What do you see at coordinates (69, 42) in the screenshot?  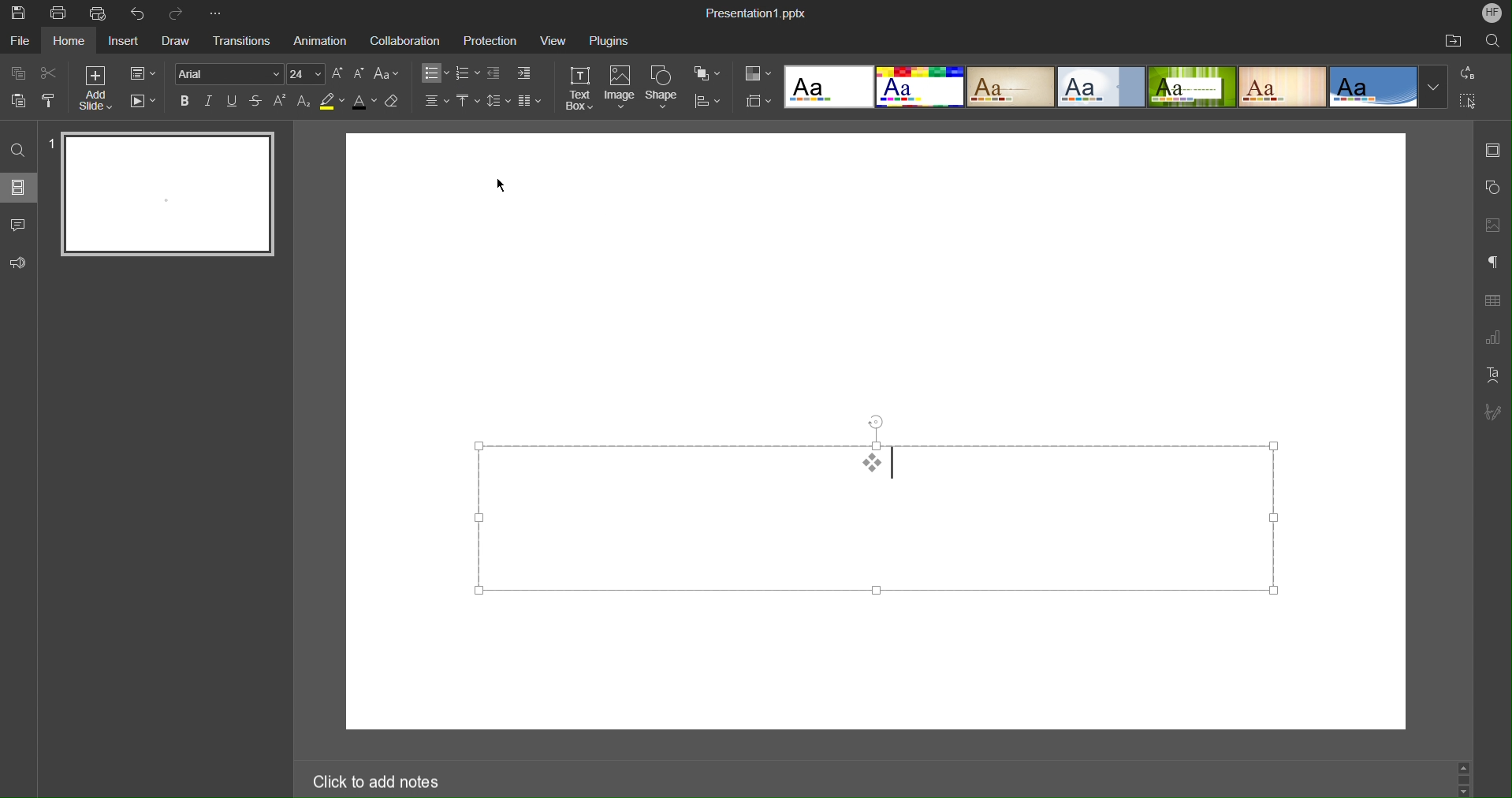 I see `Home` at bounding box center [69, 42].